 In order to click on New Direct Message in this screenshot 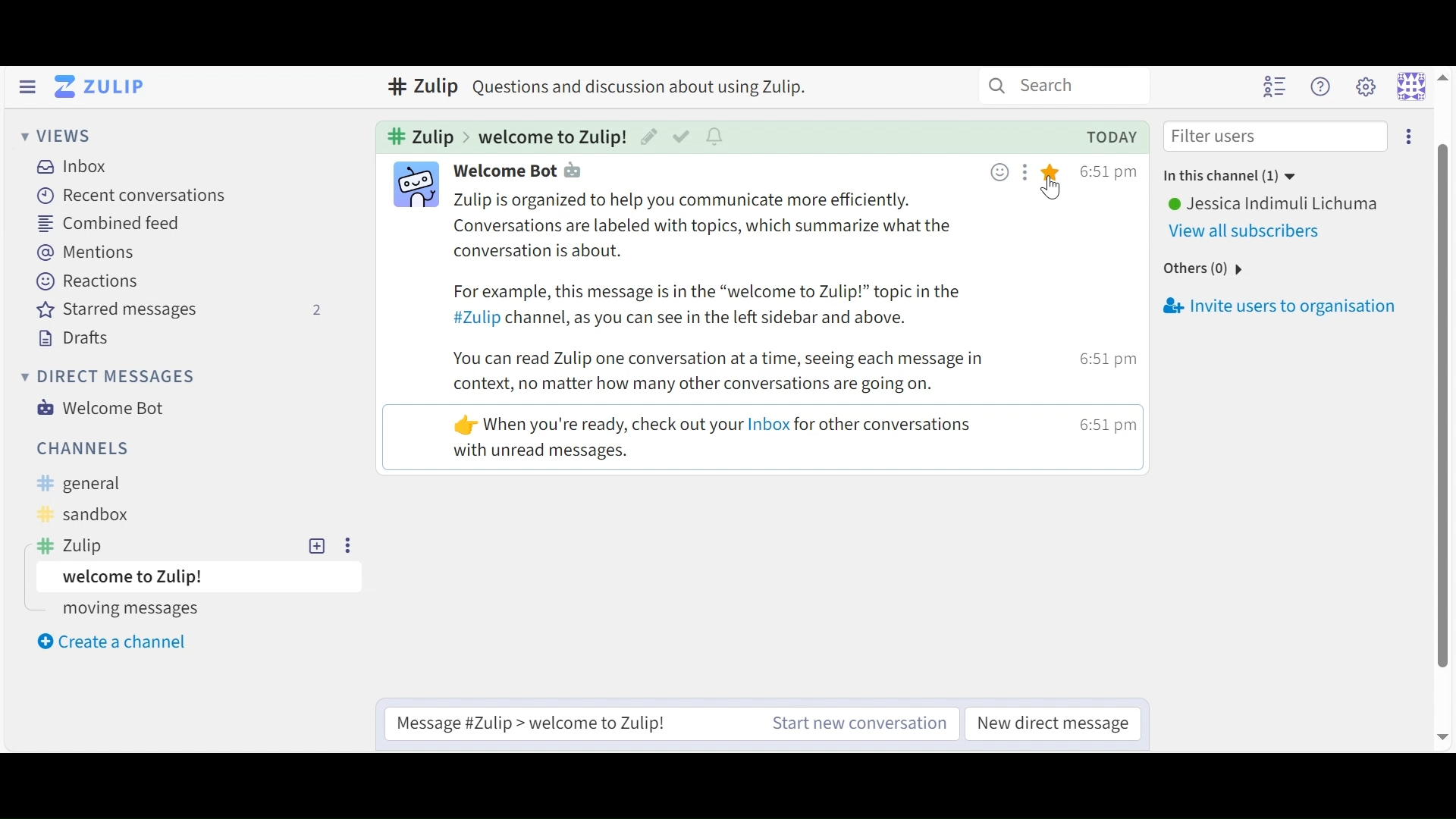, I will do `click(1053, 722)`.